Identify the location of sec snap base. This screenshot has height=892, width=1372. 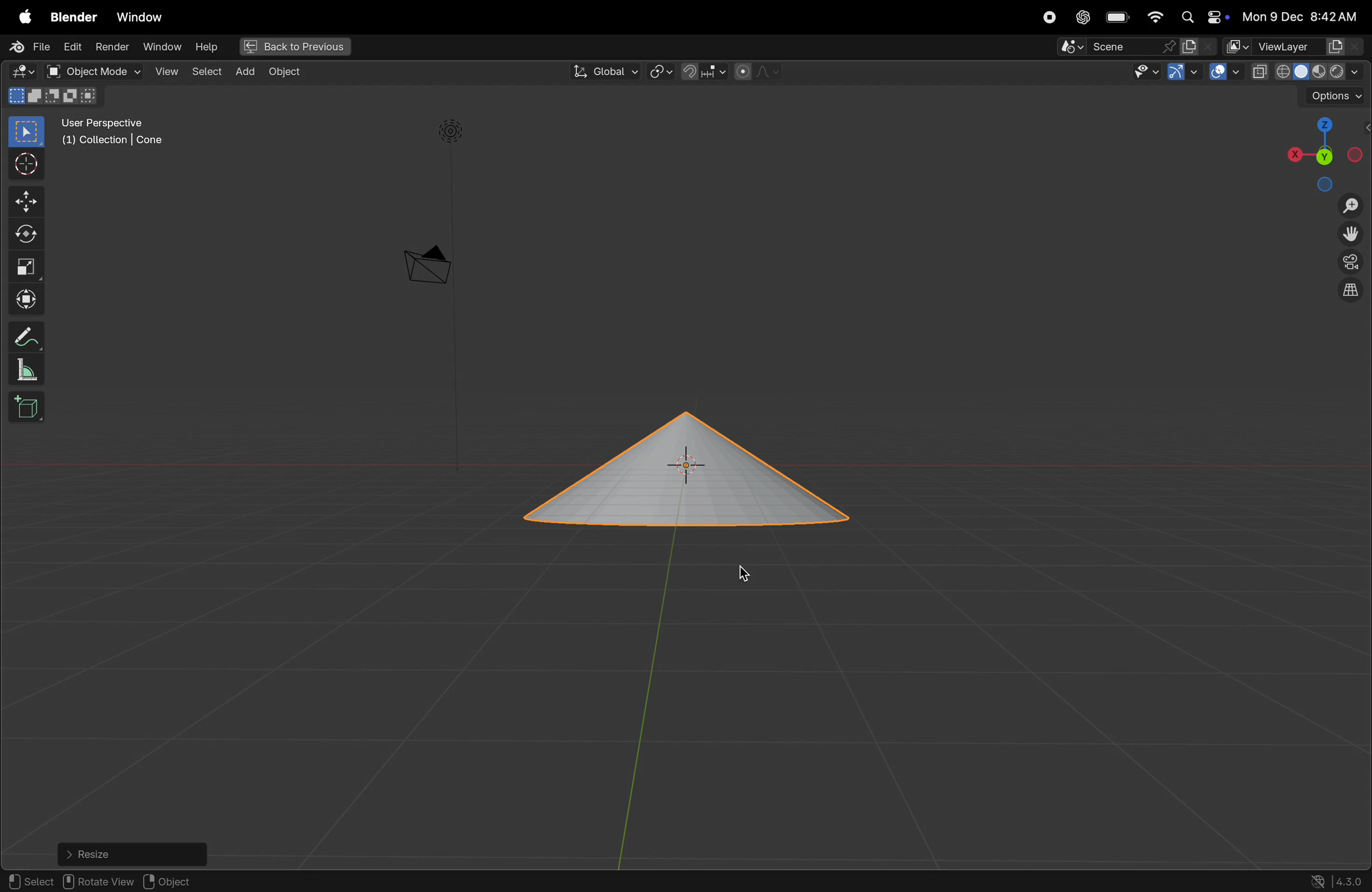
(473, 880).